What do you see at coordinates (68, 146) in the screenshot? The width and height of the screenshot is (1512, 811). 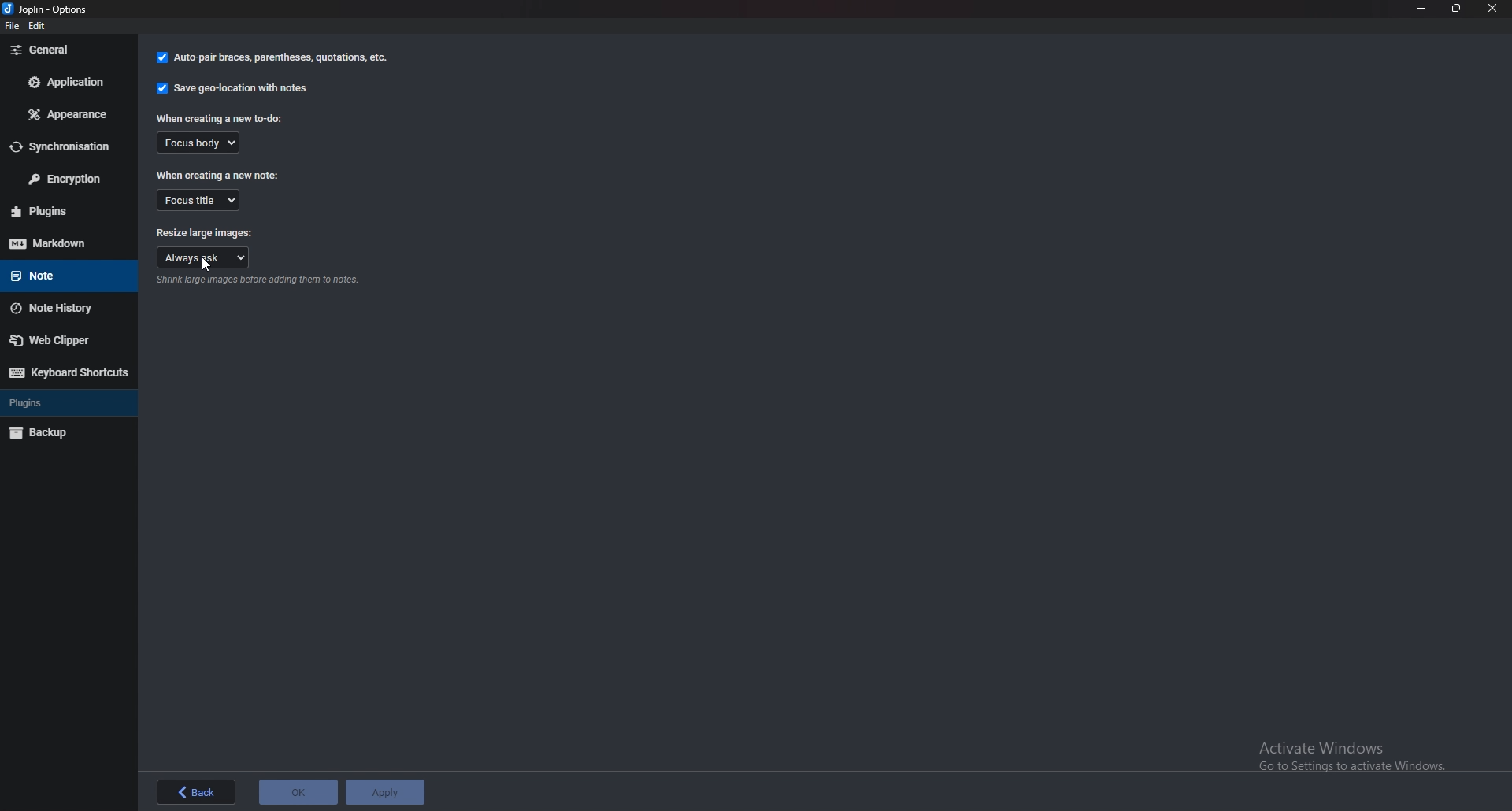 I see `Synchronization` at bounding box center [68, 146].